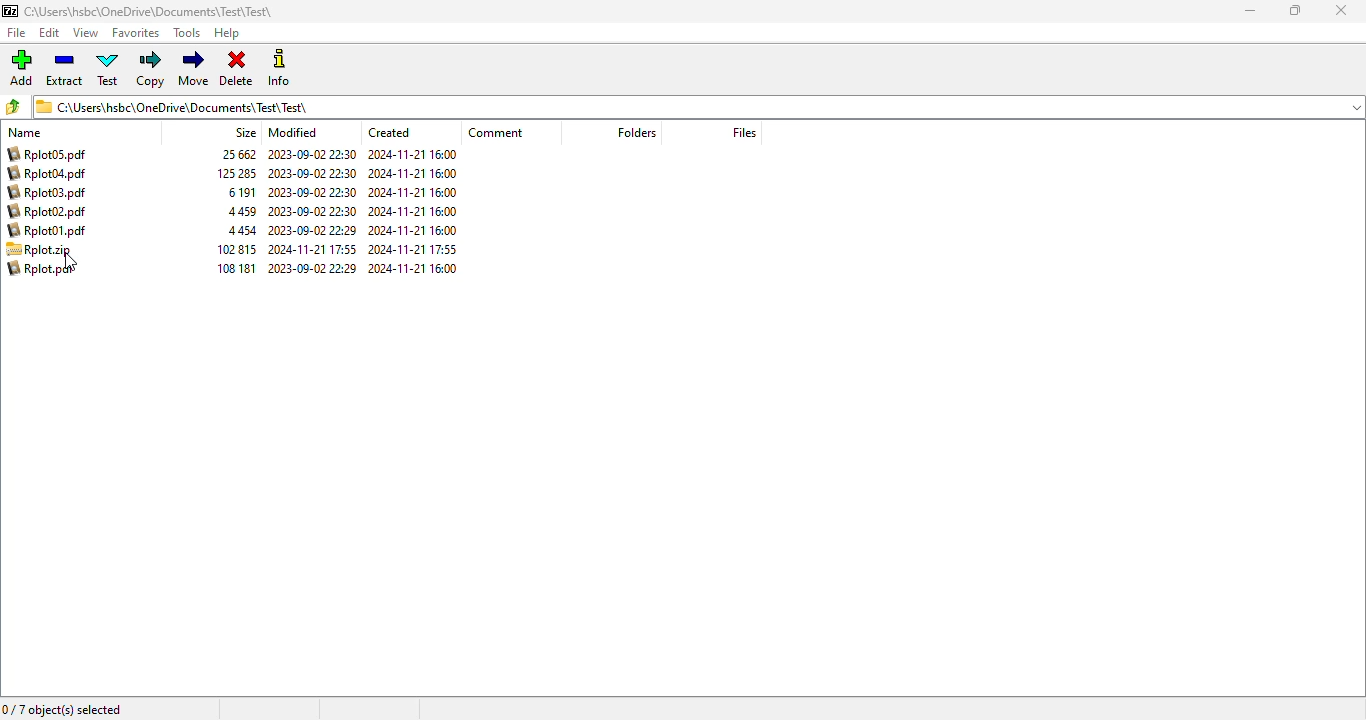  I want to click on Rplot02.pdf, so click(55, 212).